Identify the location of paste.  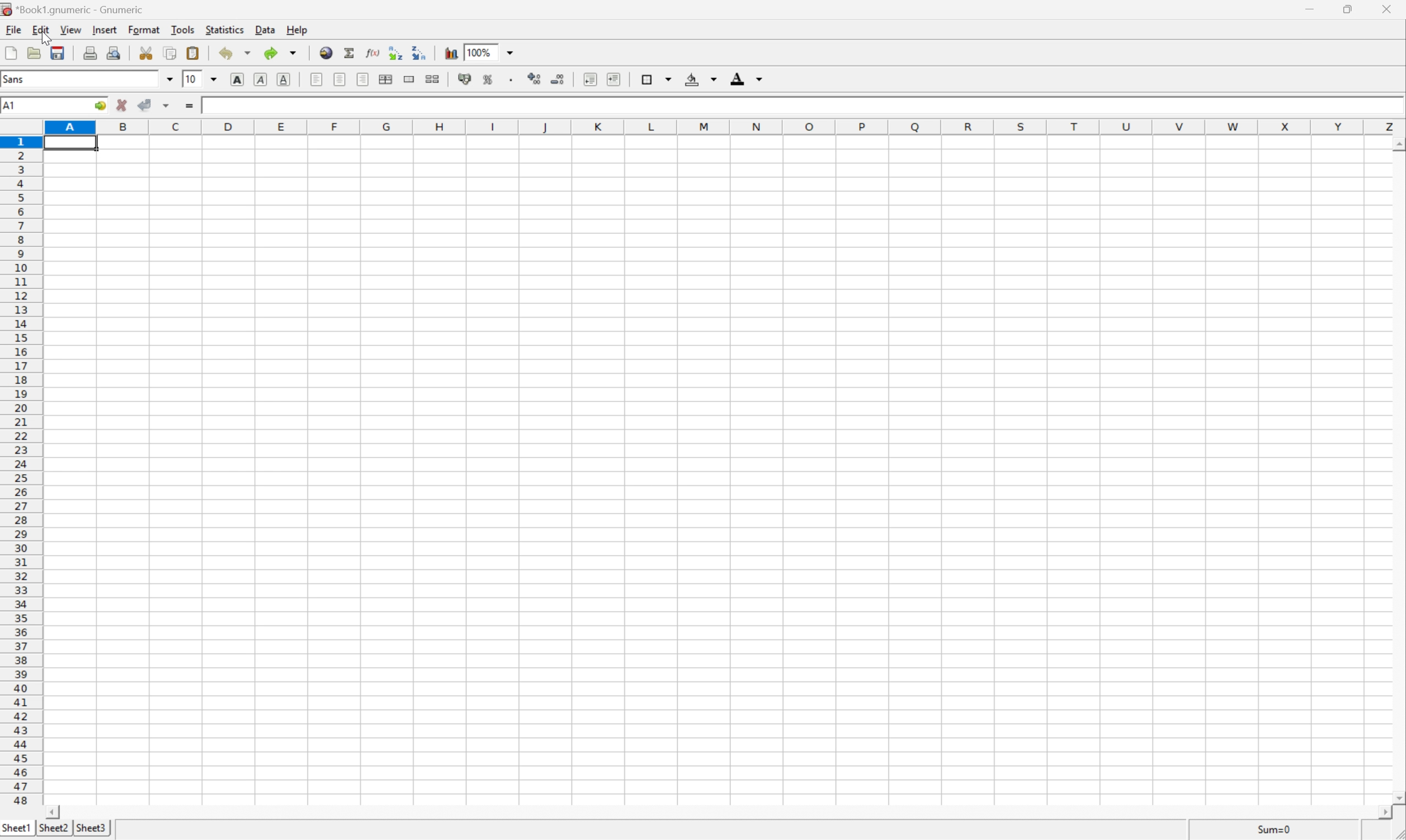
(193, 52).